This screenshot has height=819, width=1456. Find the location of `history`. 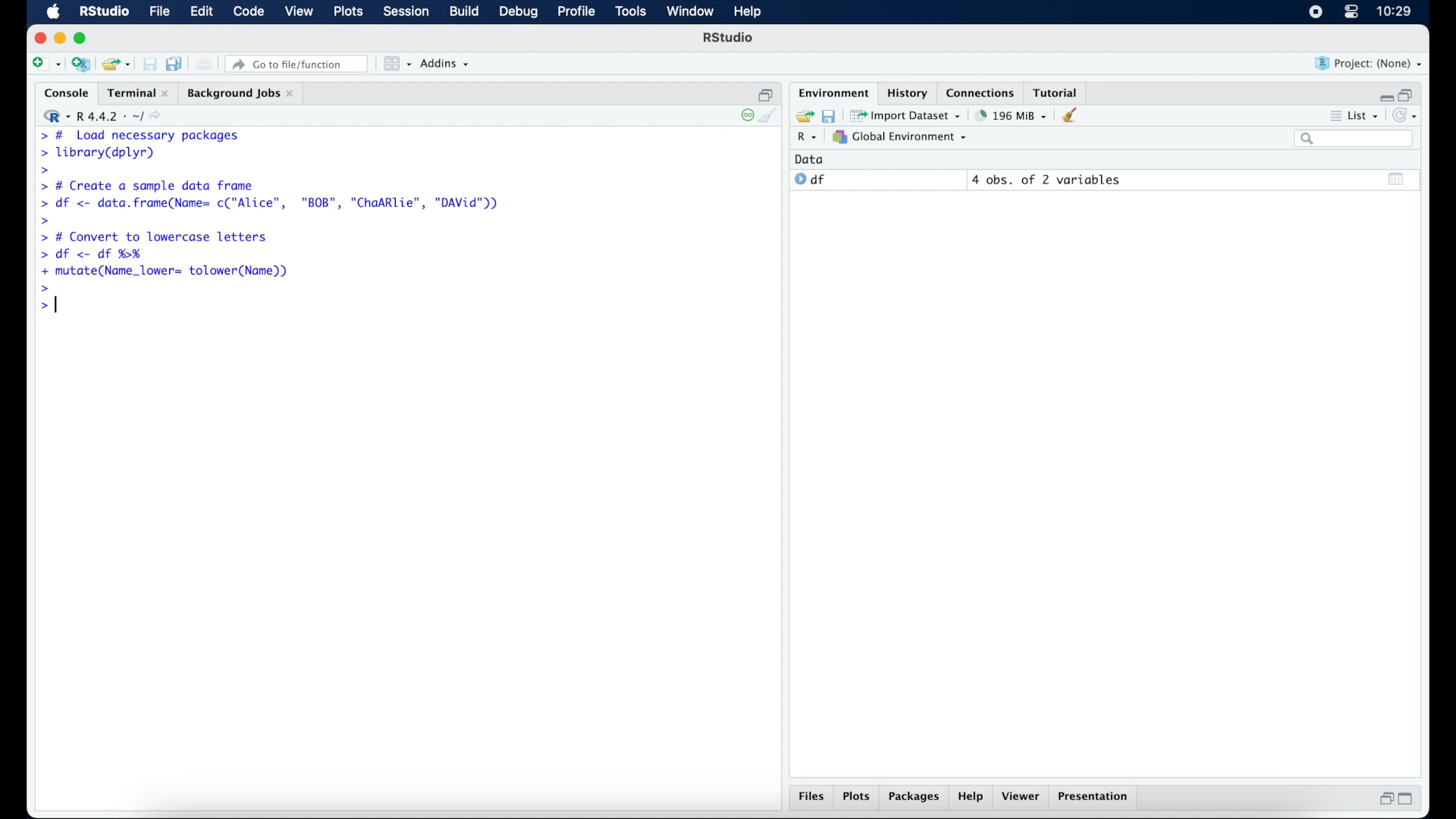

history is located at coordinates (906, 92).